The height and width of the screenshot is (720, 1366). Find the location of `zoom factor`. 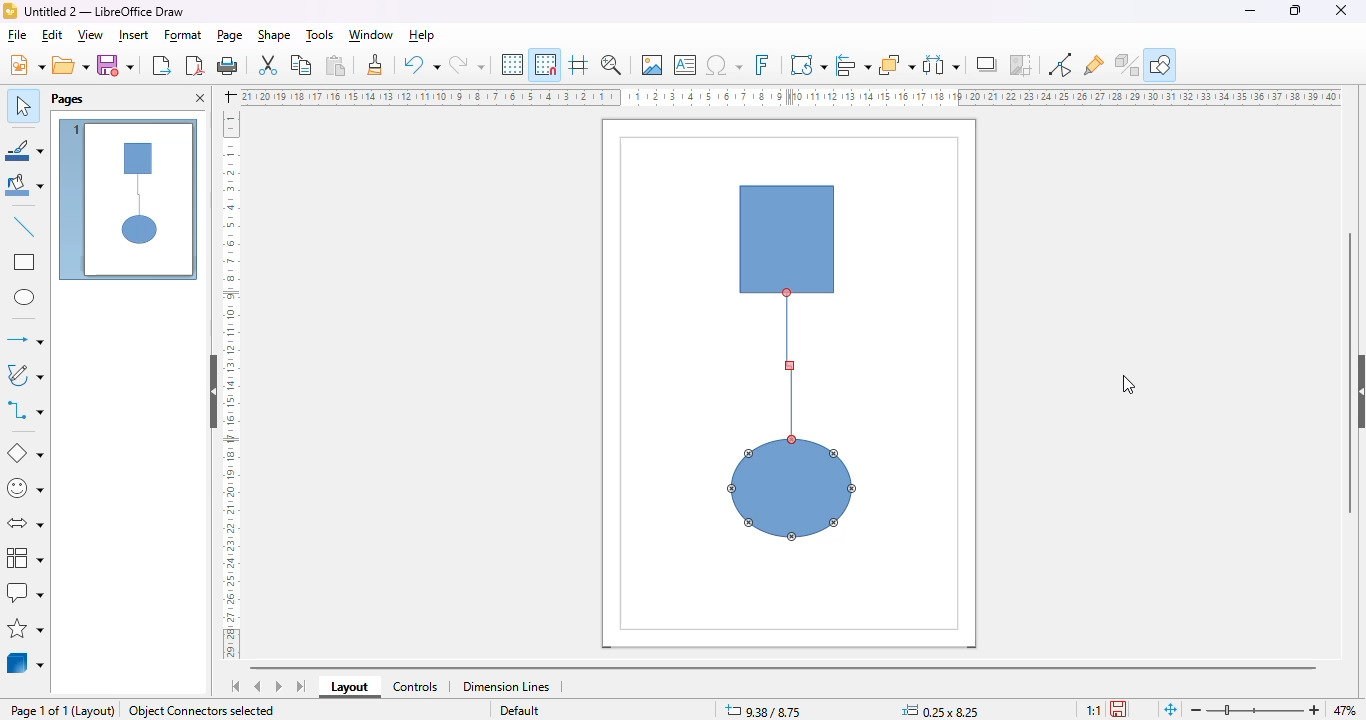

zoom factor is located at coordinates (1346, 709).